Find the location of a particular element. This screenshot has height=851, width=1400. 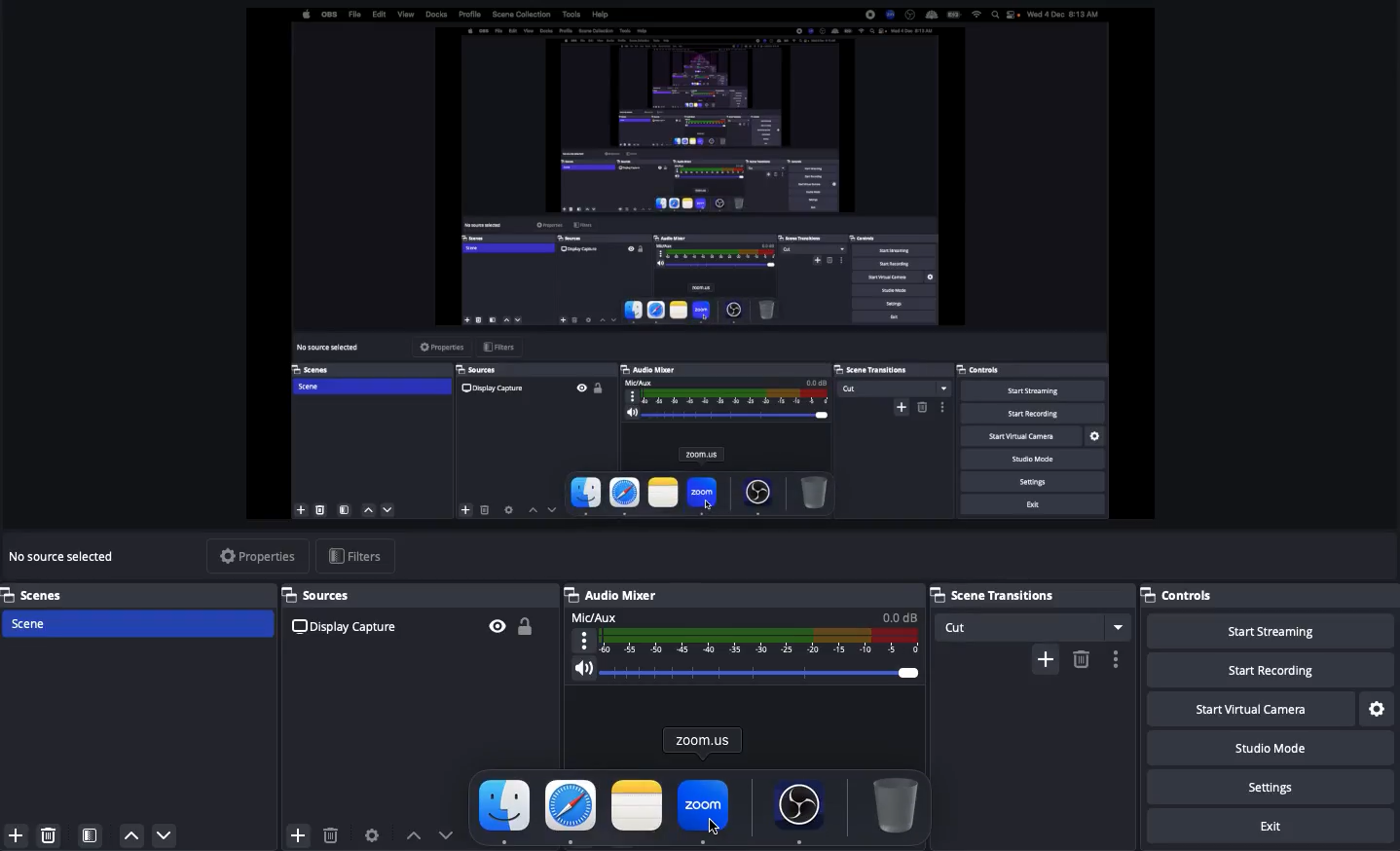

Start recording is located at coordinates (1268, 669).